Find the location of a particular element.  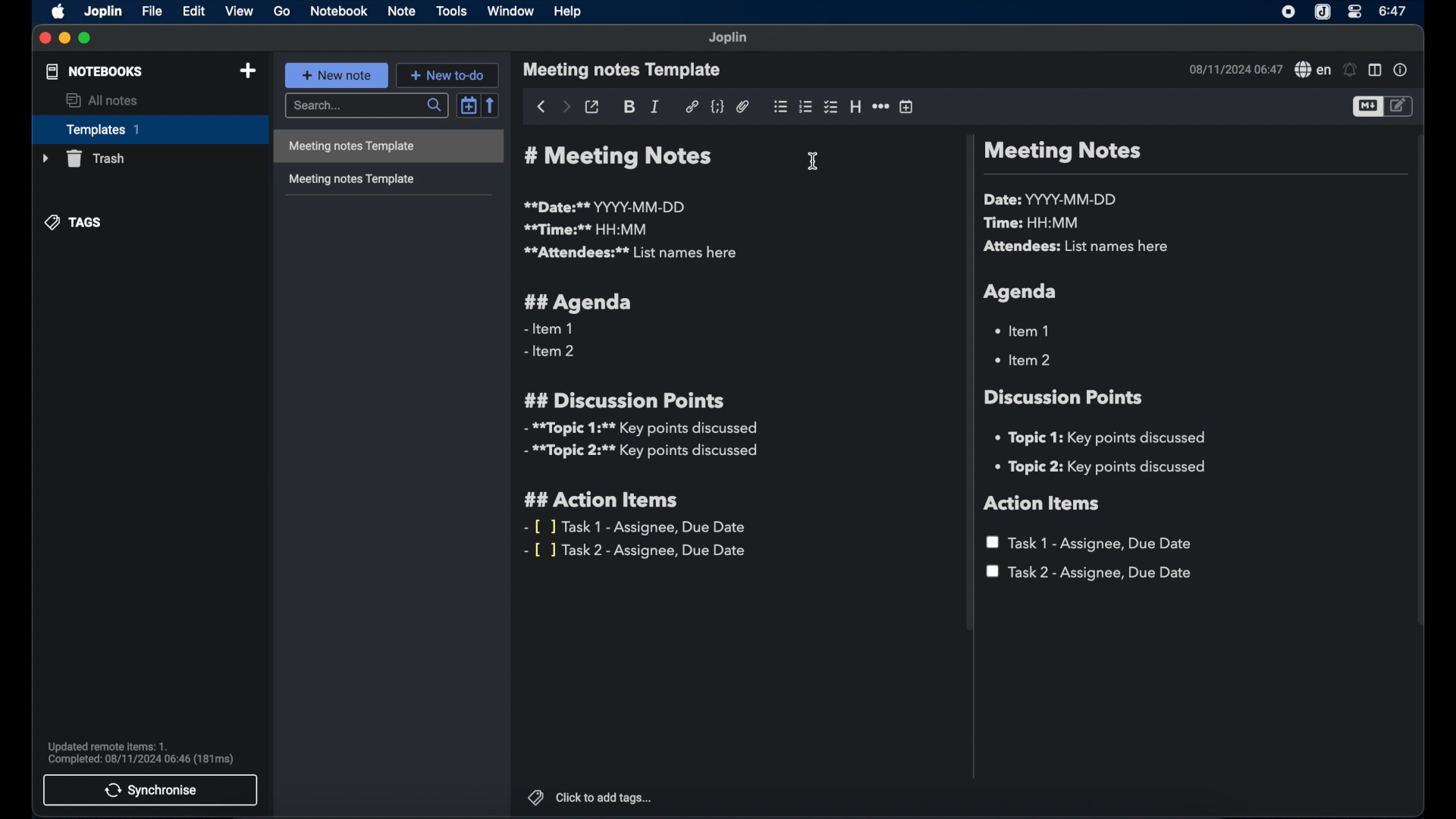

toggle sort order  field is located at coordinates (466, 107).